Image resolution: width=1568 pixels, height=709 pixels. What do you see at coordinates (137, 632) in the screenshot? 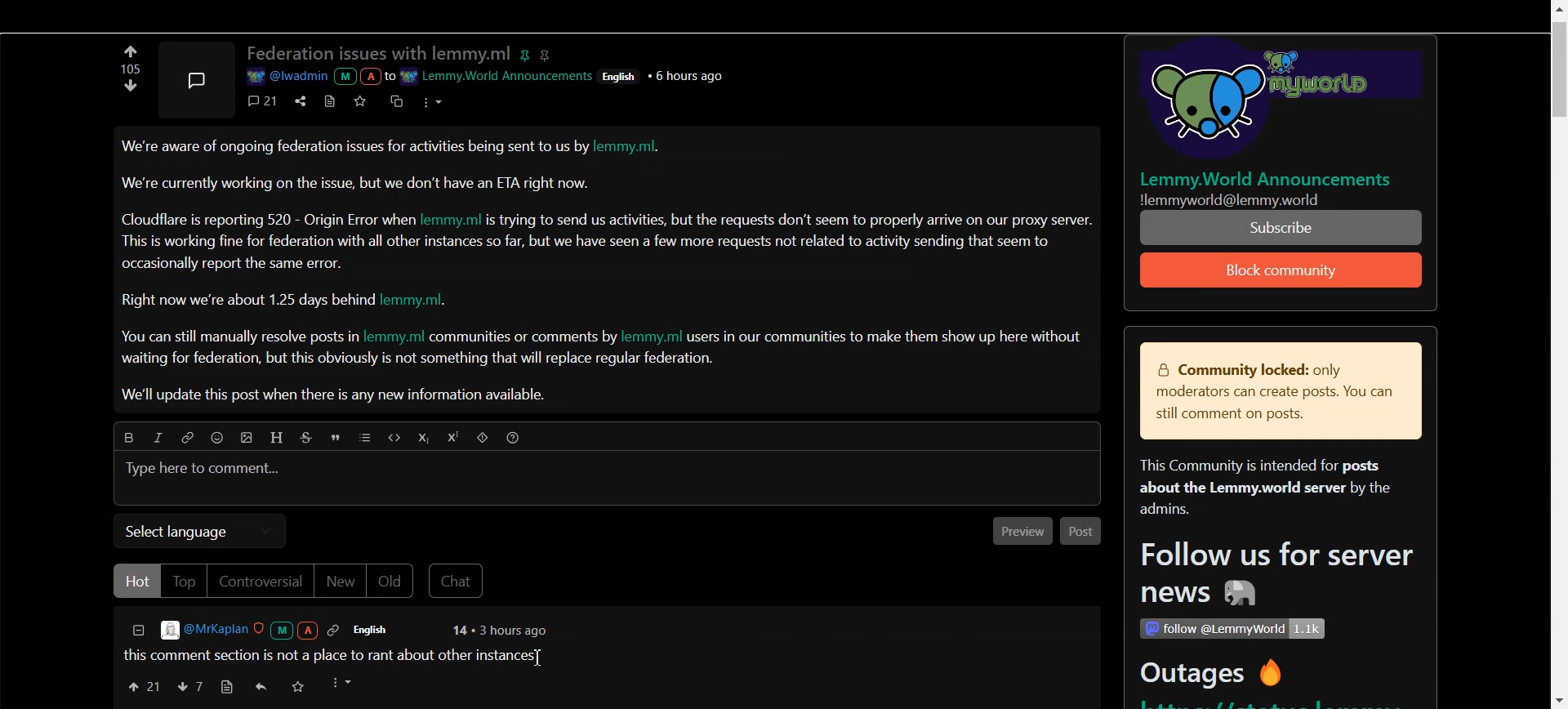
I see `Collapse` at bounding box center [137, 632].